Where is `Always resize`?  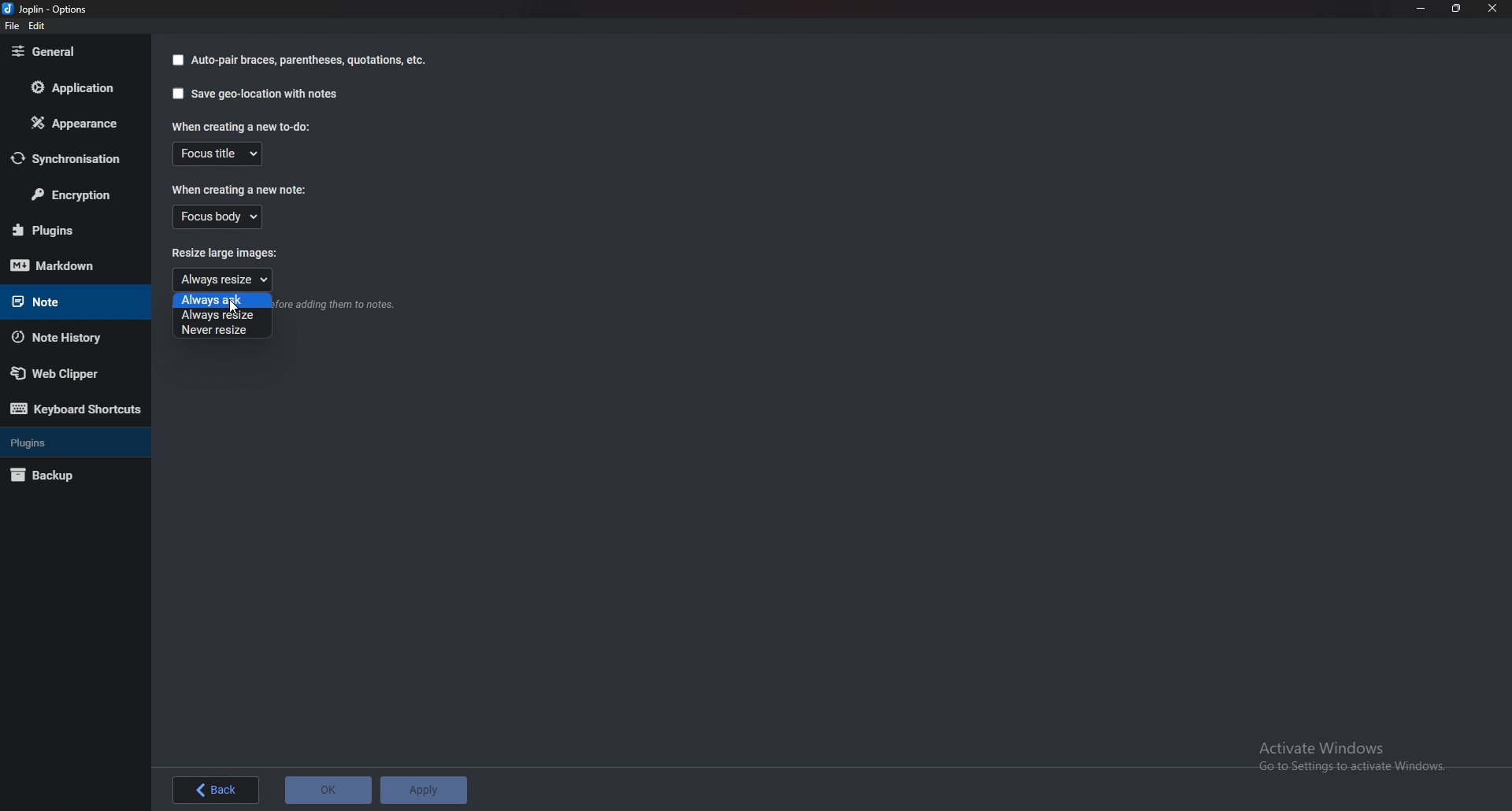
Always resize is located at coordinates (222, 278).